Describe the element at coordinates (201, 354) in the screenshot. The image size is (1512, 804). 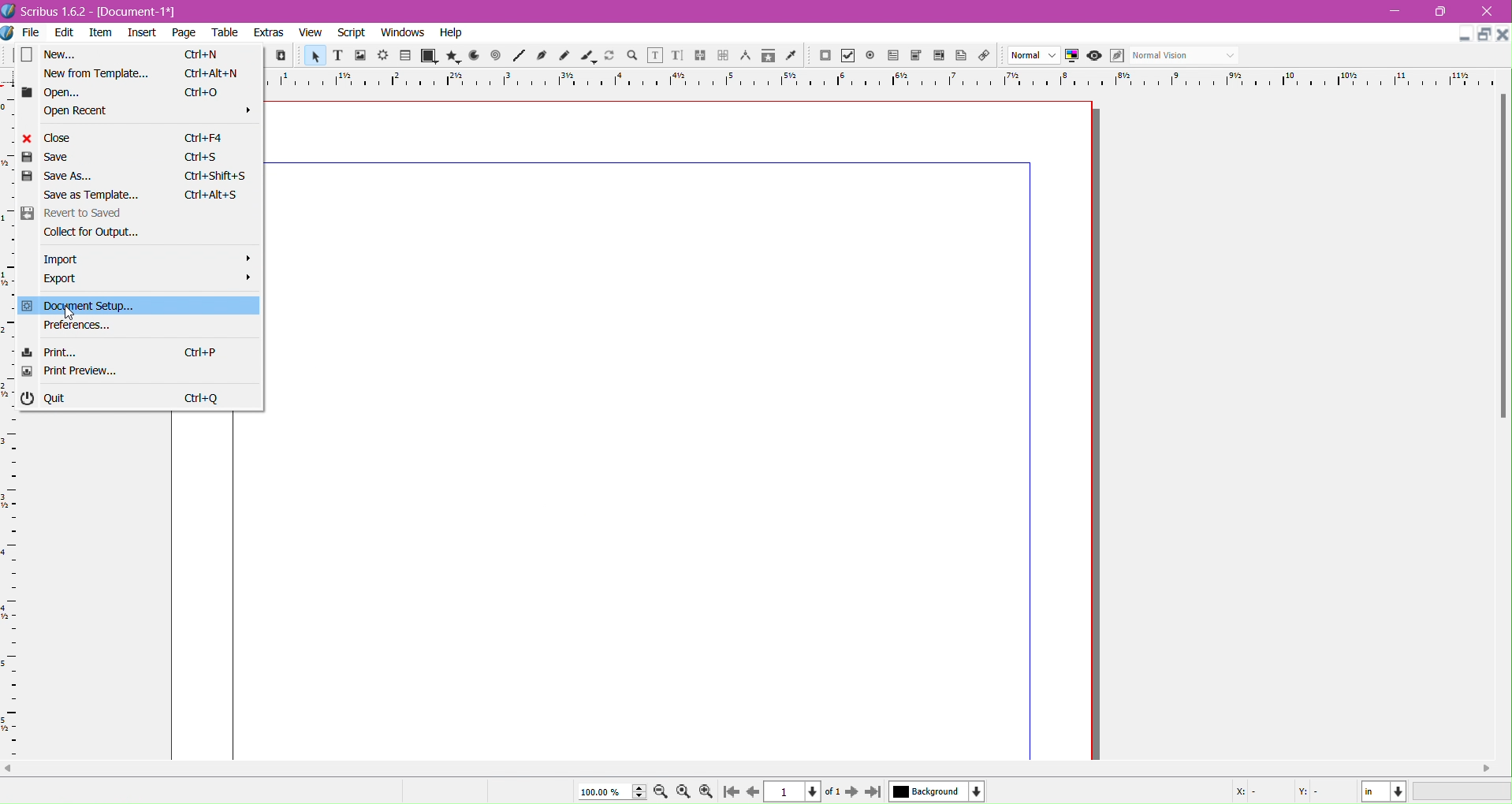
I see `keyboard shortcut` at that location.